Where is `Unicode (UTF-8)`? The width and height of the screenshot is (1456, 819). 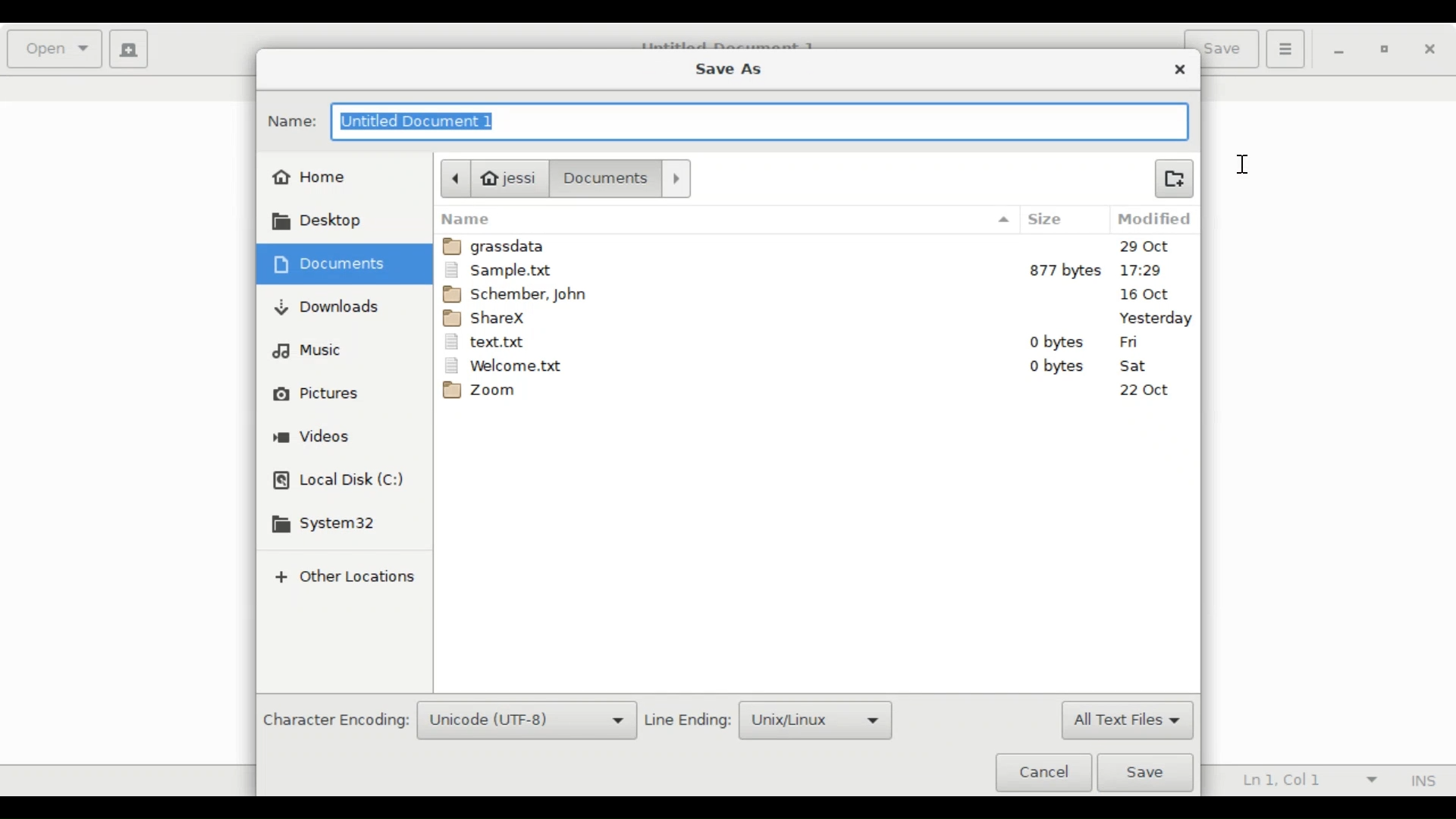 Unicode (UTF-8) is located at coordinates (527, 721).